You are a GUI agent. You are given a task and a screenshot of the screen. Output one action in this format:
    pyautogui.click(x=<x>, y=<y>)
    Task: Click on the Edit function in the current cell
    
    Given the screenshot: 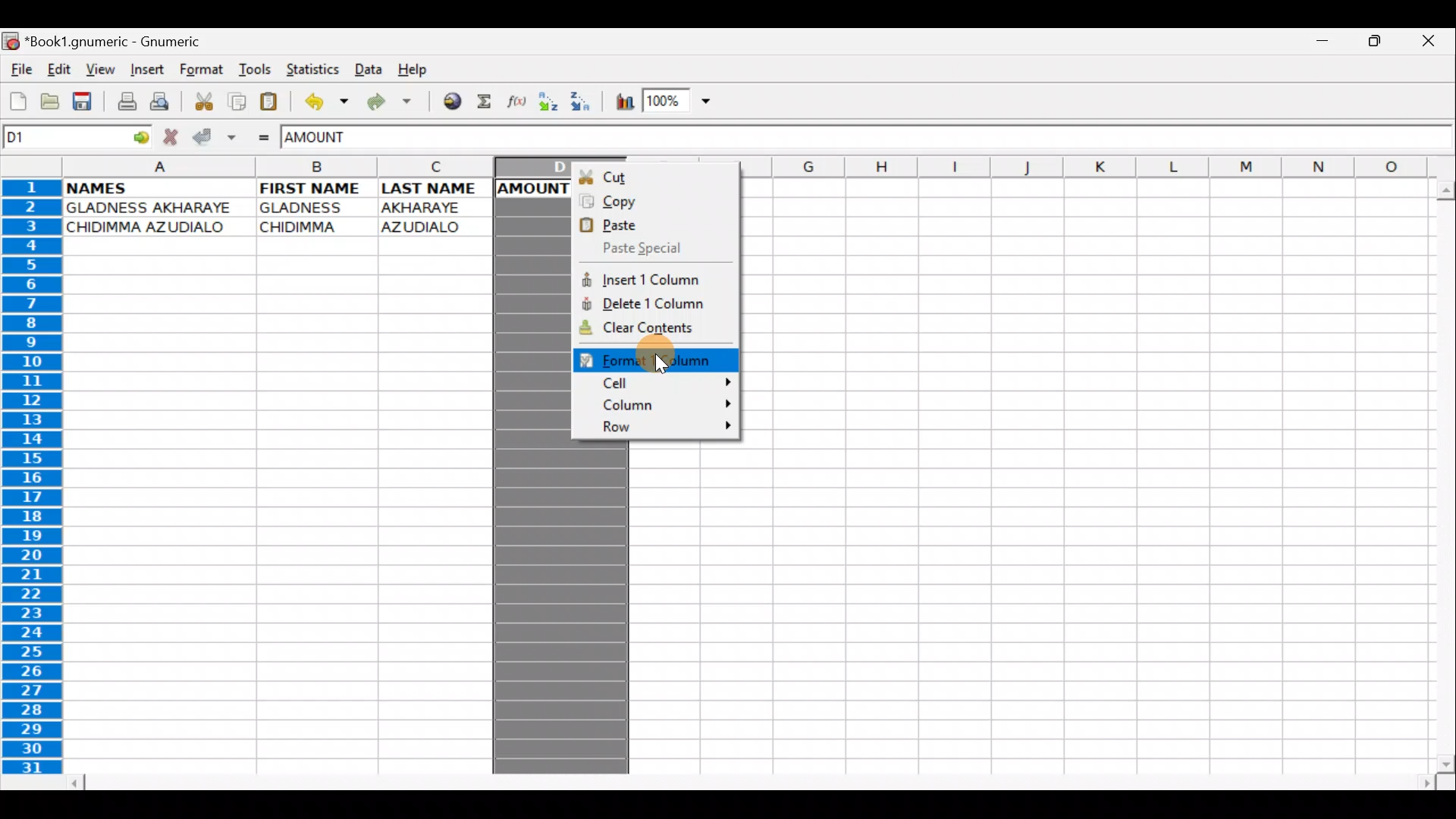 What is the action you would take?
    pyautogui.click(x=519, y=102)
    